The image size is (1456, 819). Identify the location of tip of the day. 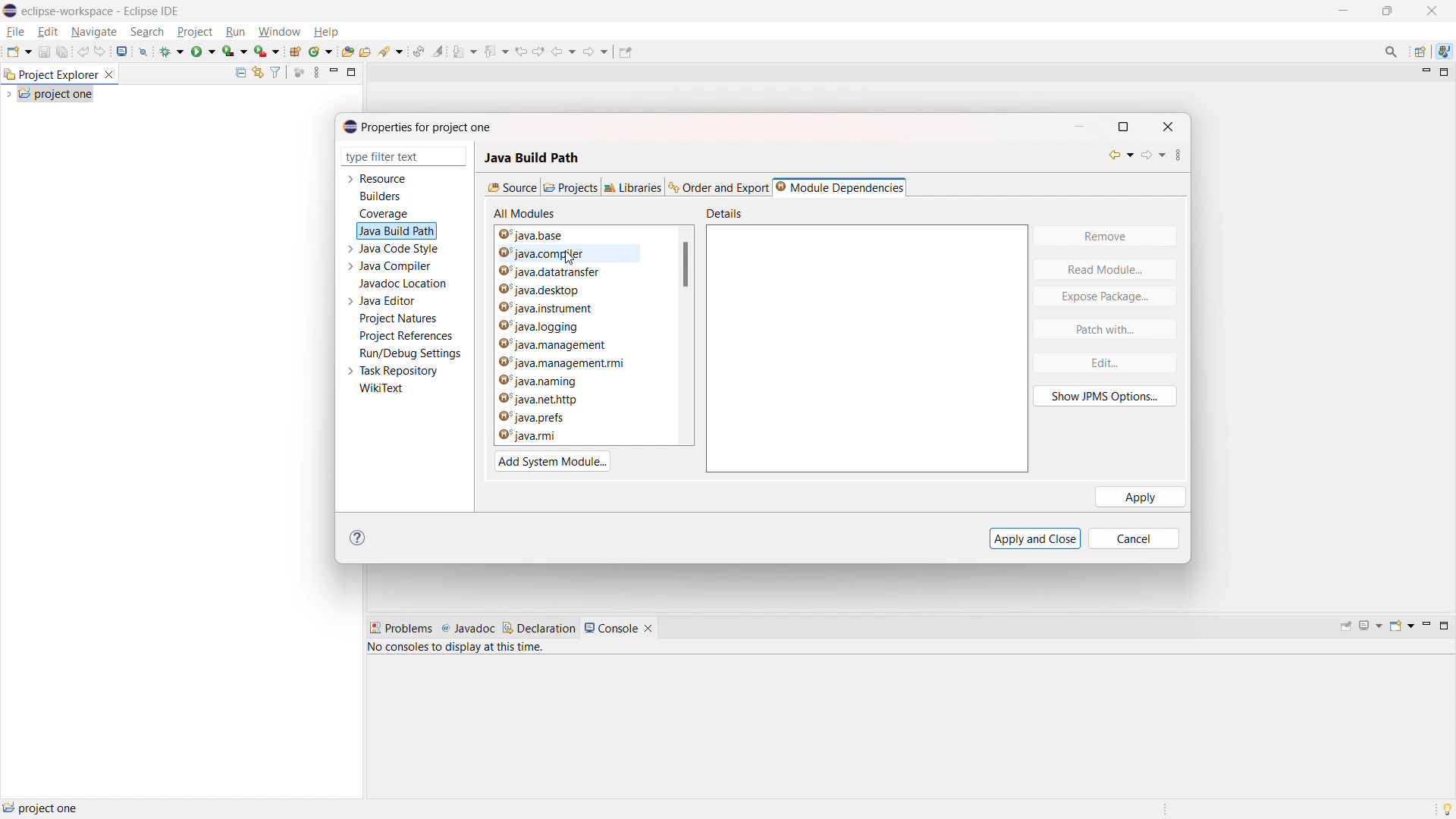
(1447, 808).